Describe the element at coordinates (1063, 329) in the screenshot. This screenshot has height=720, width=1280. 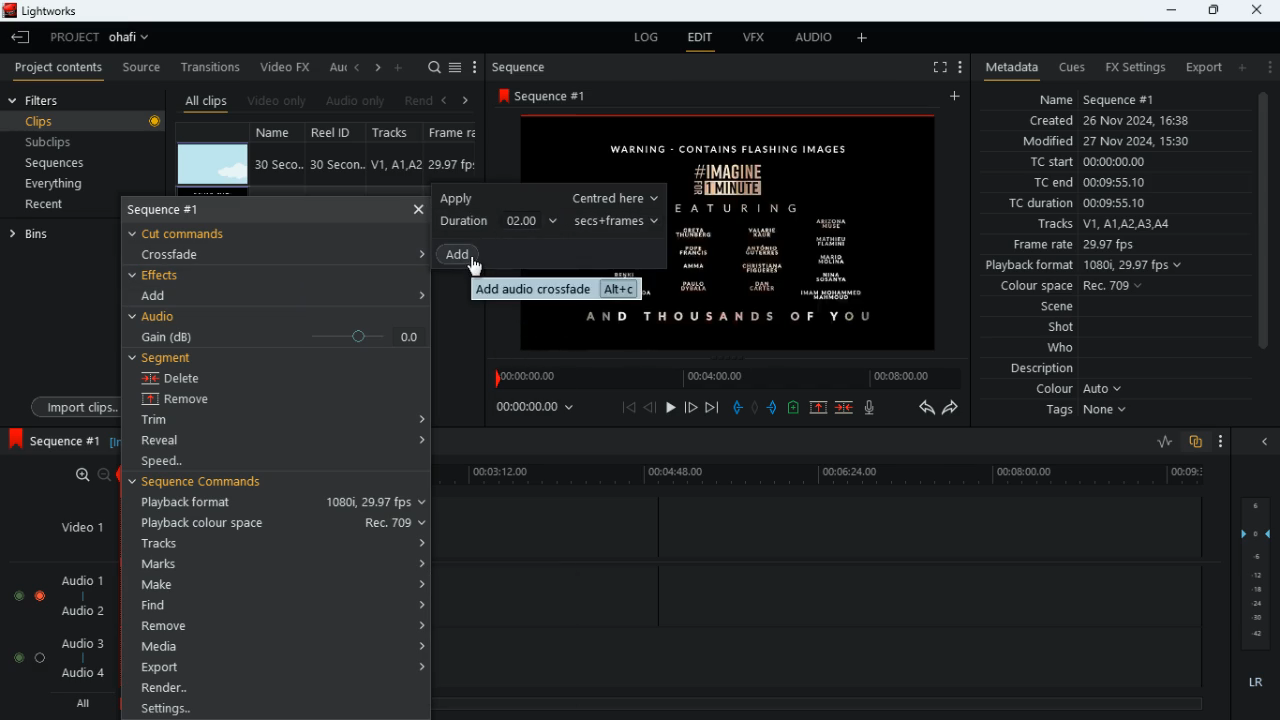
I see `shot` at that location.